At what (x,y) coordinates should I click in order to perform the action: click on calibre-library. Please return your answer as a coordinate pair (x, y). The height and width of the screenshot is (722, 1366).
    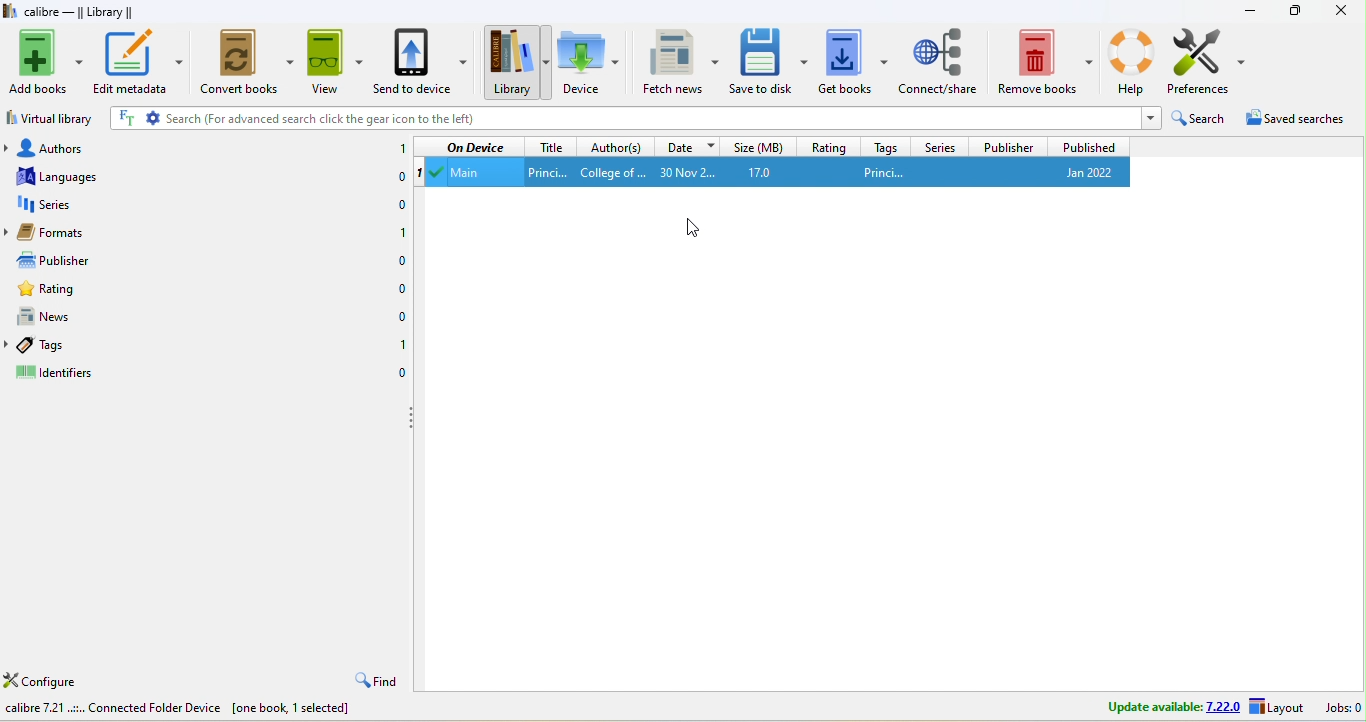
    Looking at the image, I should click on (85, 13).